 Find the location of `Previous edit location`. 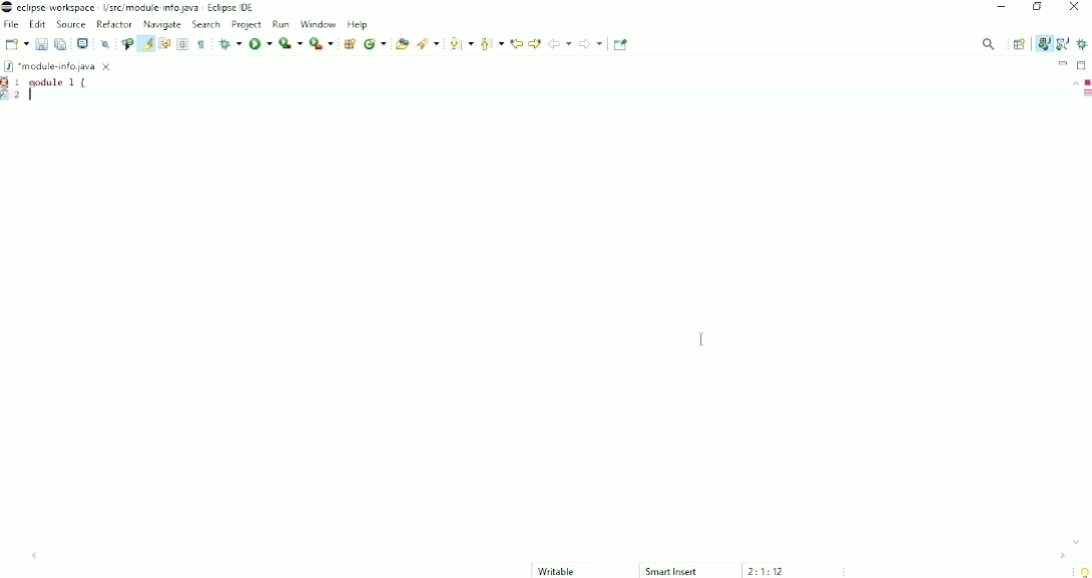

Previous edit location is located at coordinates (516, 43).